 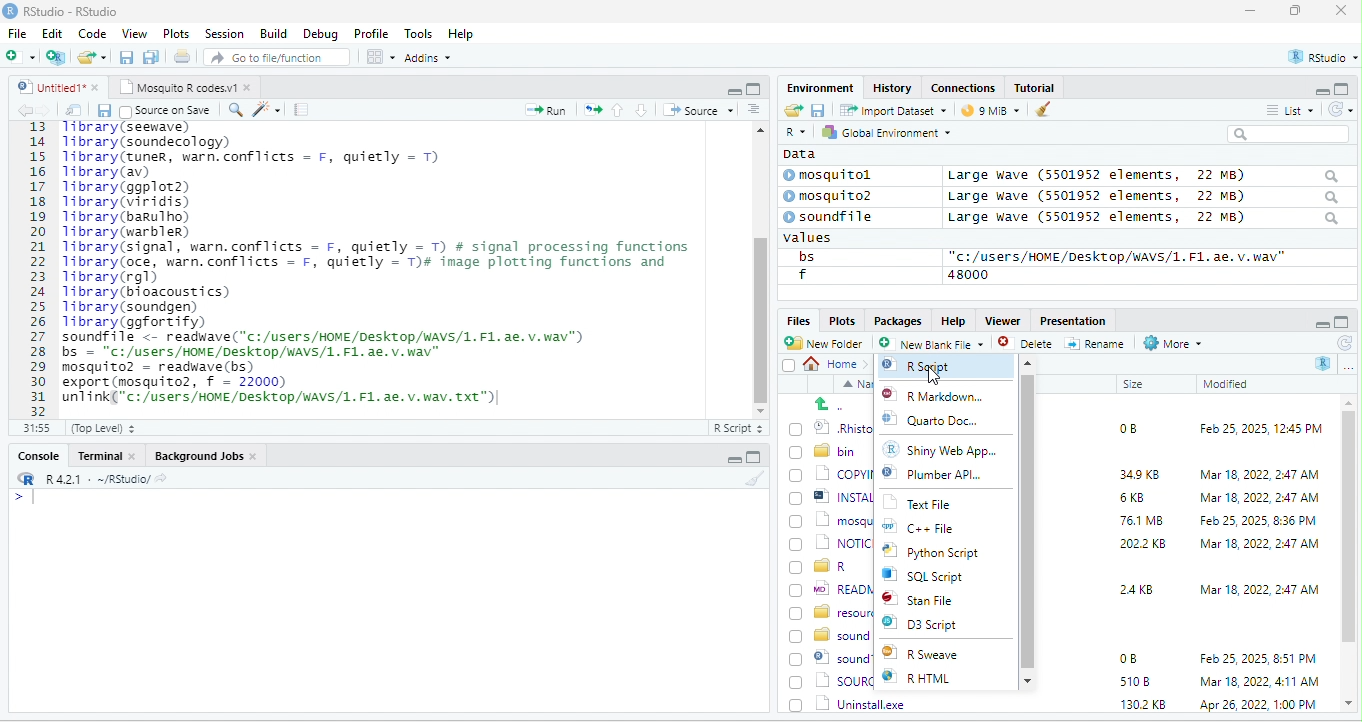 What do you see at coordinates (1314, 90) in the screenshot?
I see `minimize` at bounding box center [1314, 90].